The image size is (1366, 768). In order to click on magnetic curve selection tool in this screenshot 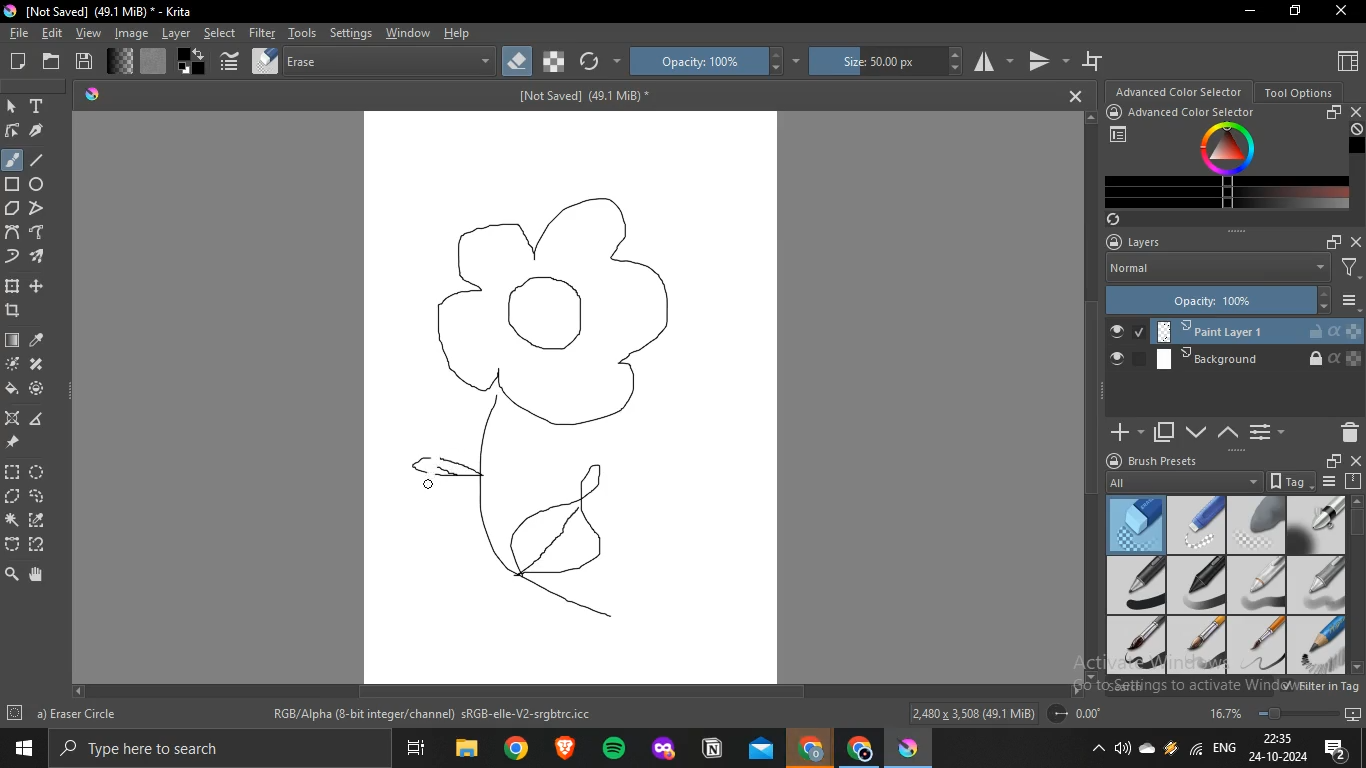, I will do `click(39, 544)`.